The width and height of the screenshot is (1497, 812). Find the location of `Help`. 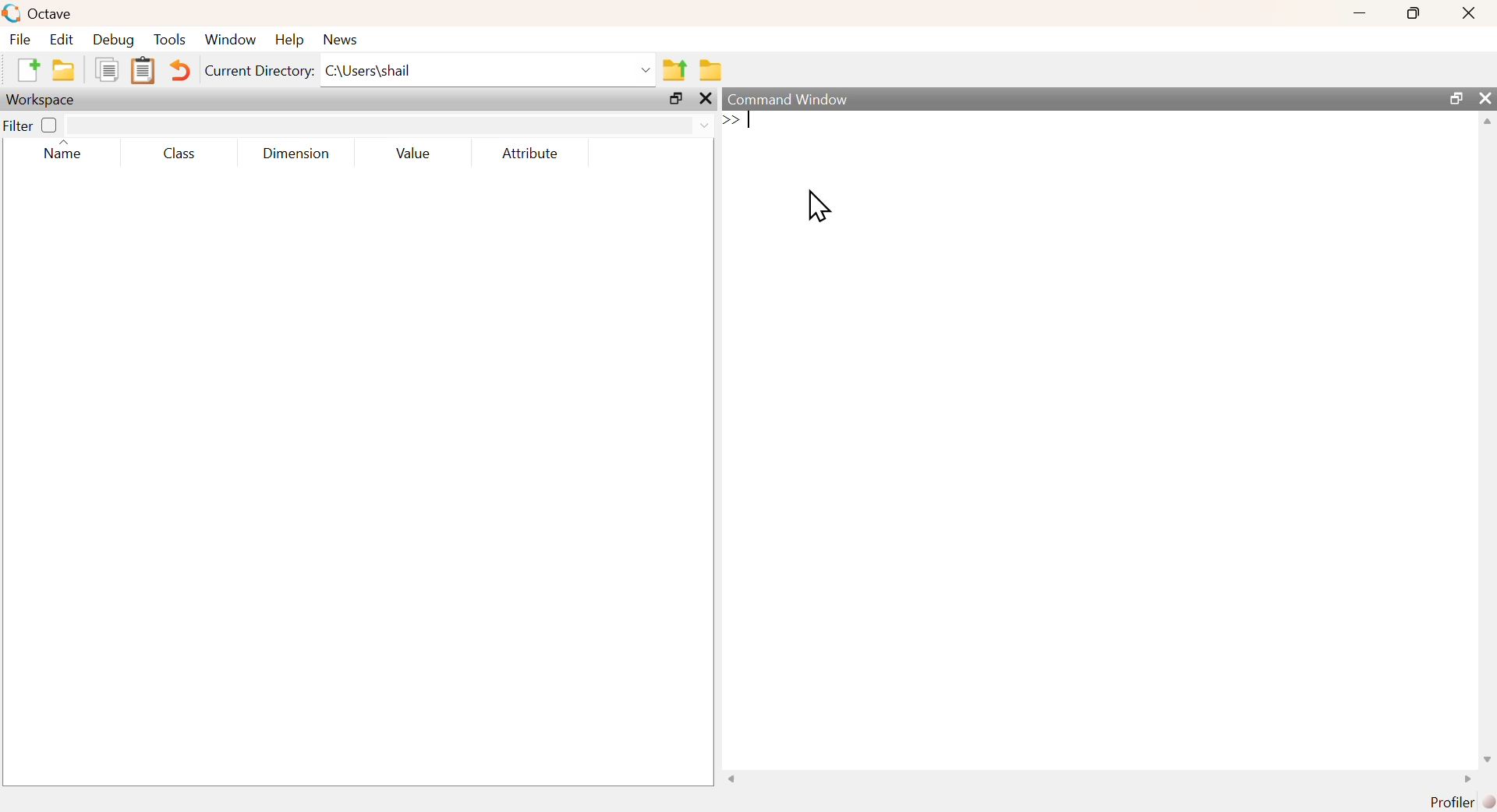

Help is located at coordinates (289, 40).